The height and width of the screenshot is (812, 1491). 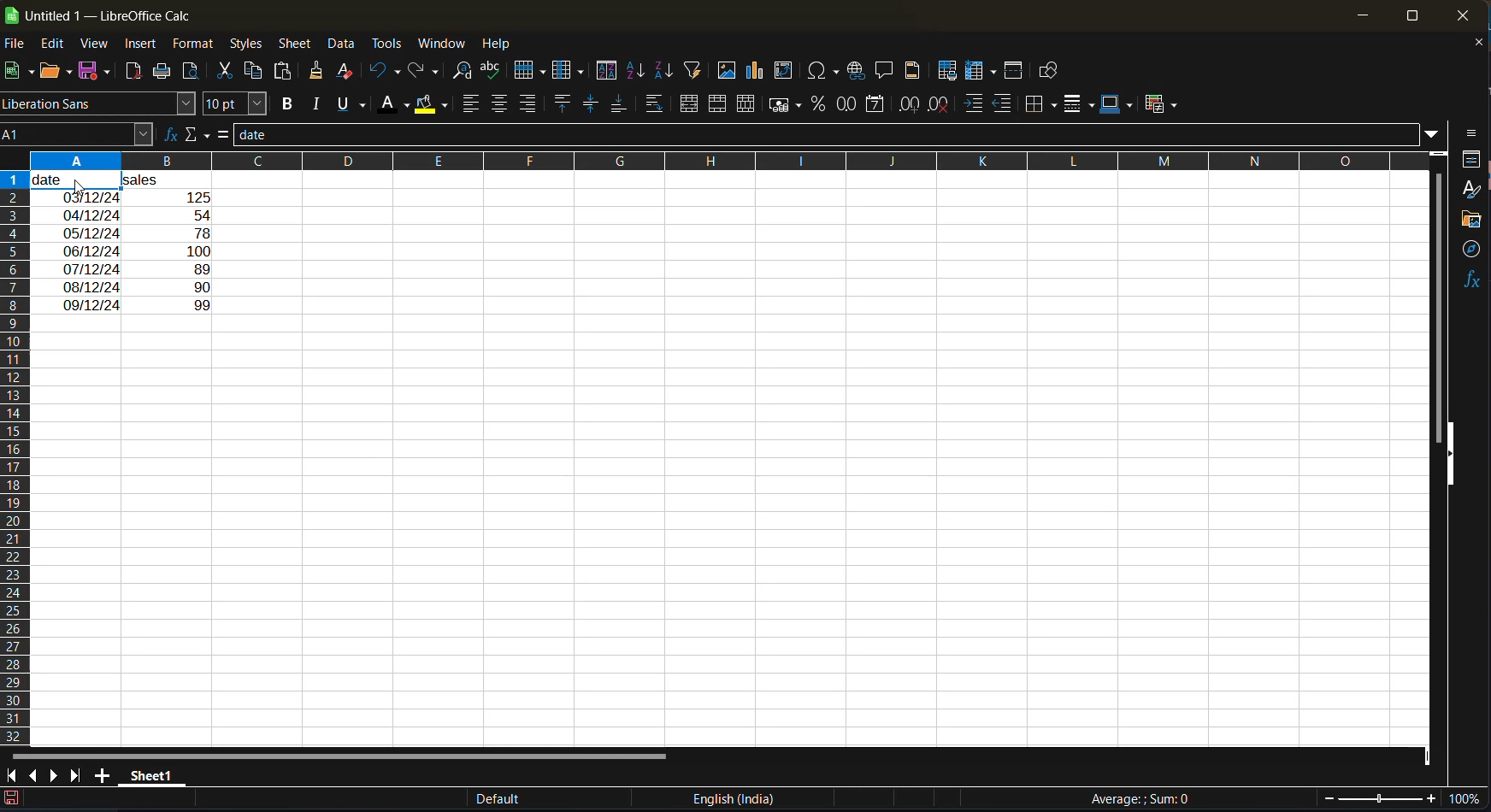 I want to click on define print area, so click(x=948, y=70).